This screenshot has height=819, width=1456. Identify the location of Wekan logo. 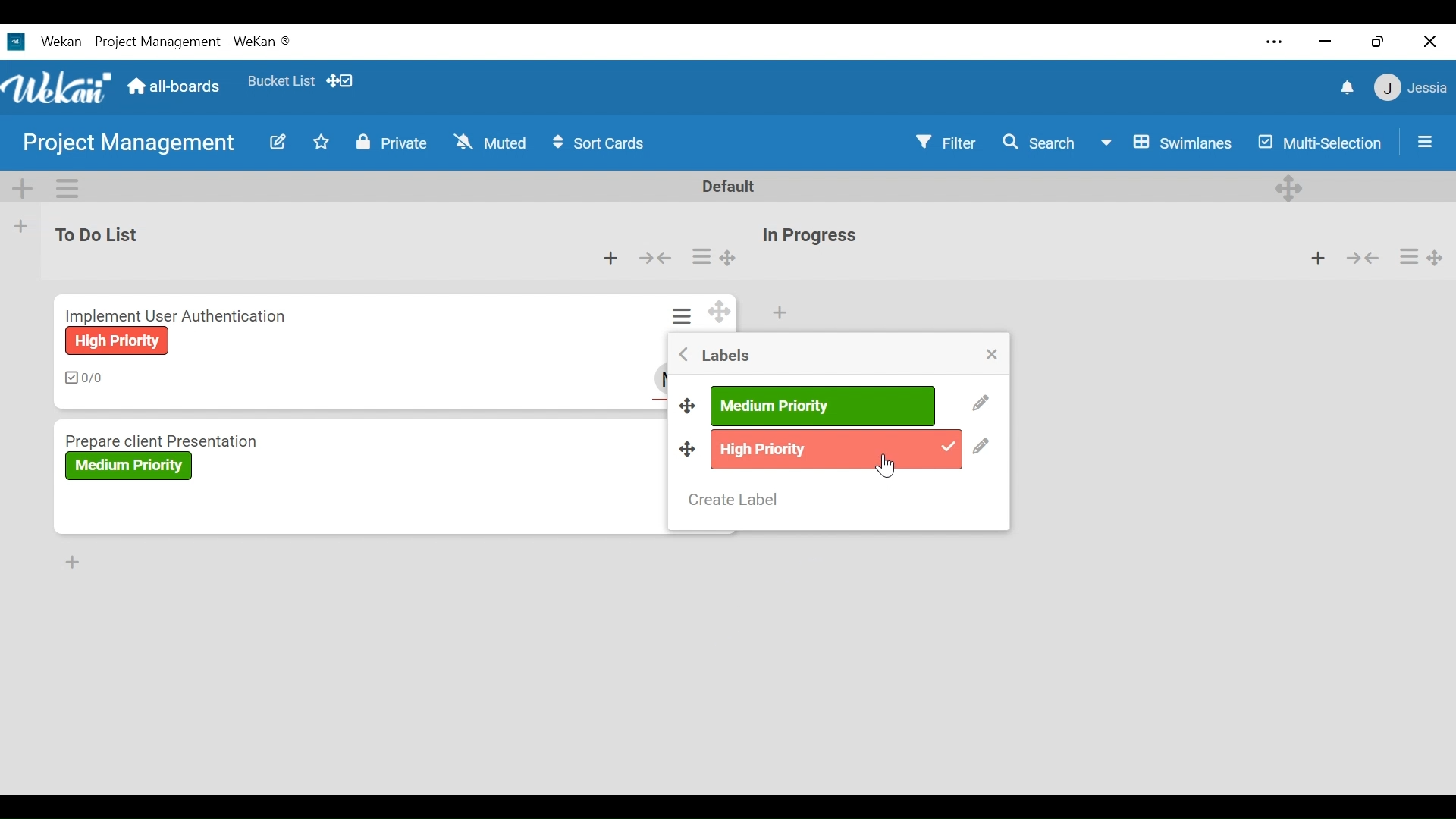
(58, 86).